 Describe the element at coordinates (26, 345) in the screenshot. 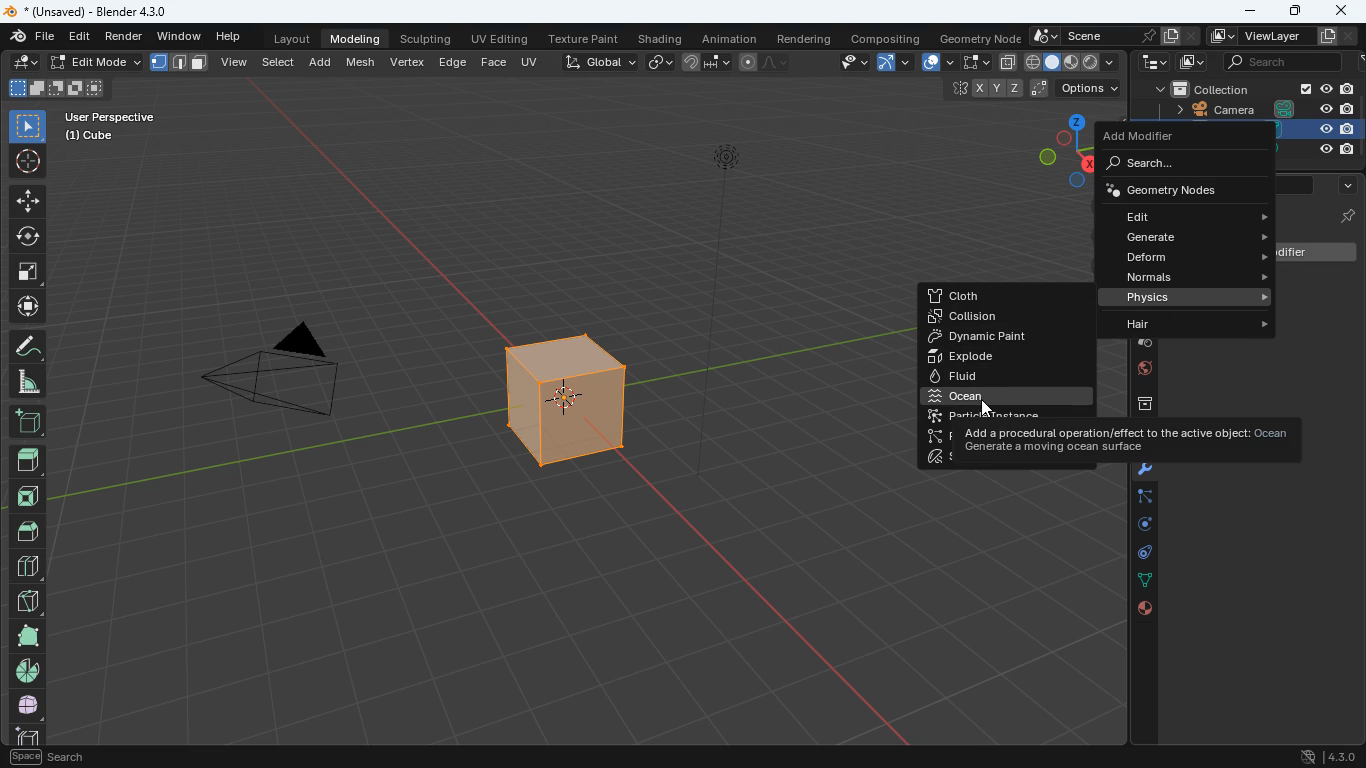

I see `draw` at that location.